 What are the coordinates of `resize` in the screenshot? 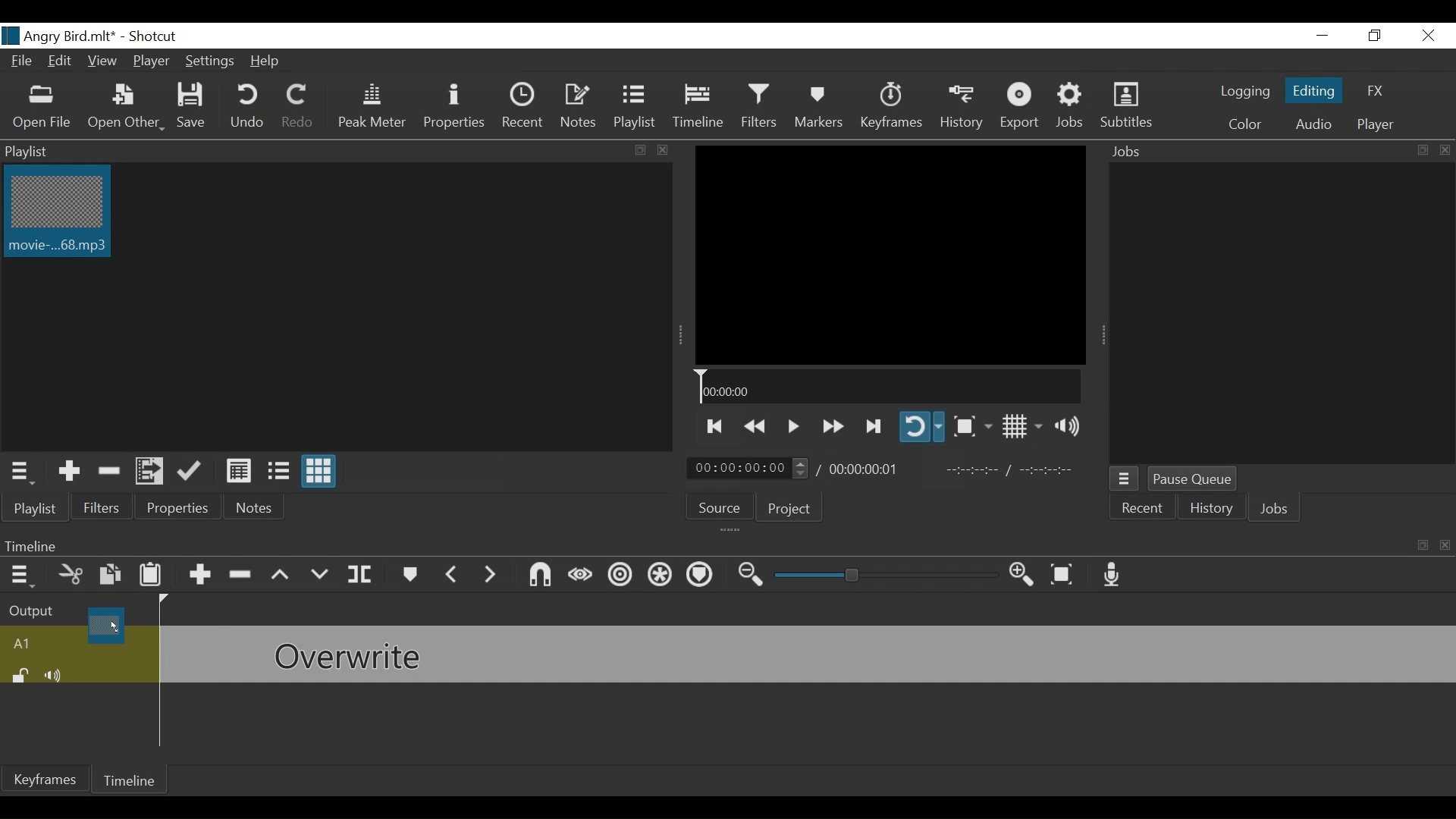 It's located at (639, 150).